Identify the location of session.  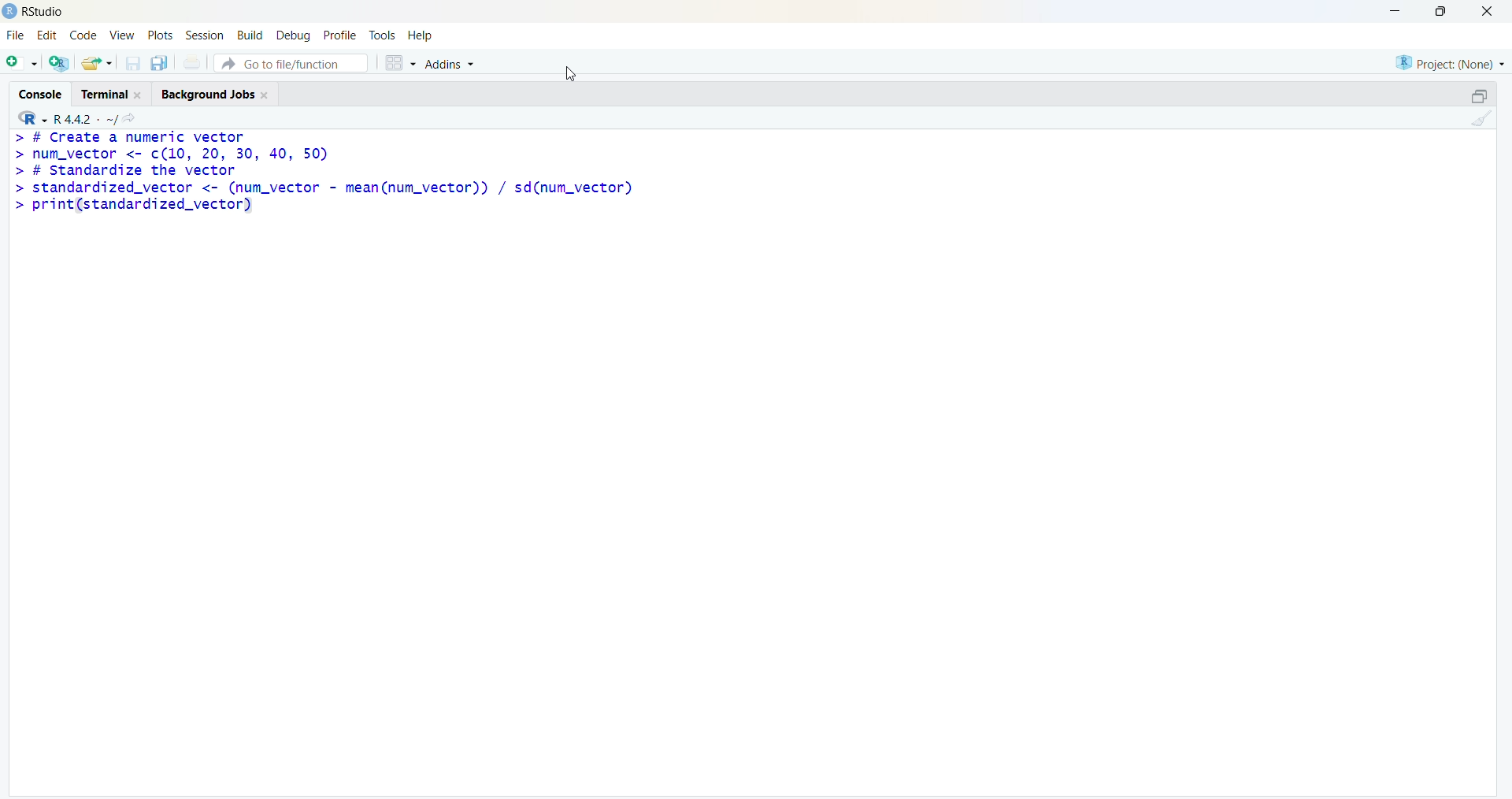
(206, 35).